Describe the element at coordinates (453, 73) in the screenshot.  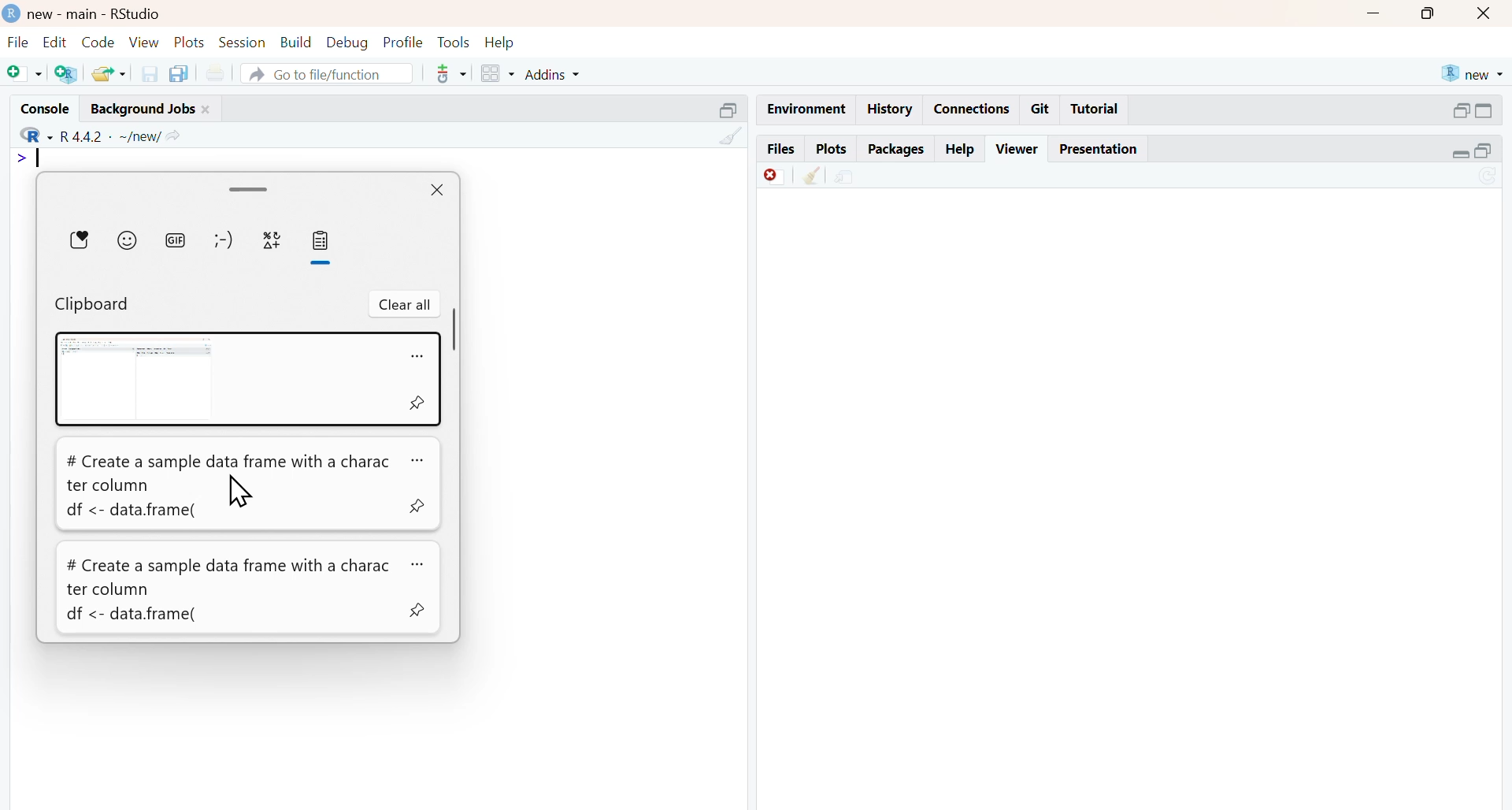
I see `tools` at that location.